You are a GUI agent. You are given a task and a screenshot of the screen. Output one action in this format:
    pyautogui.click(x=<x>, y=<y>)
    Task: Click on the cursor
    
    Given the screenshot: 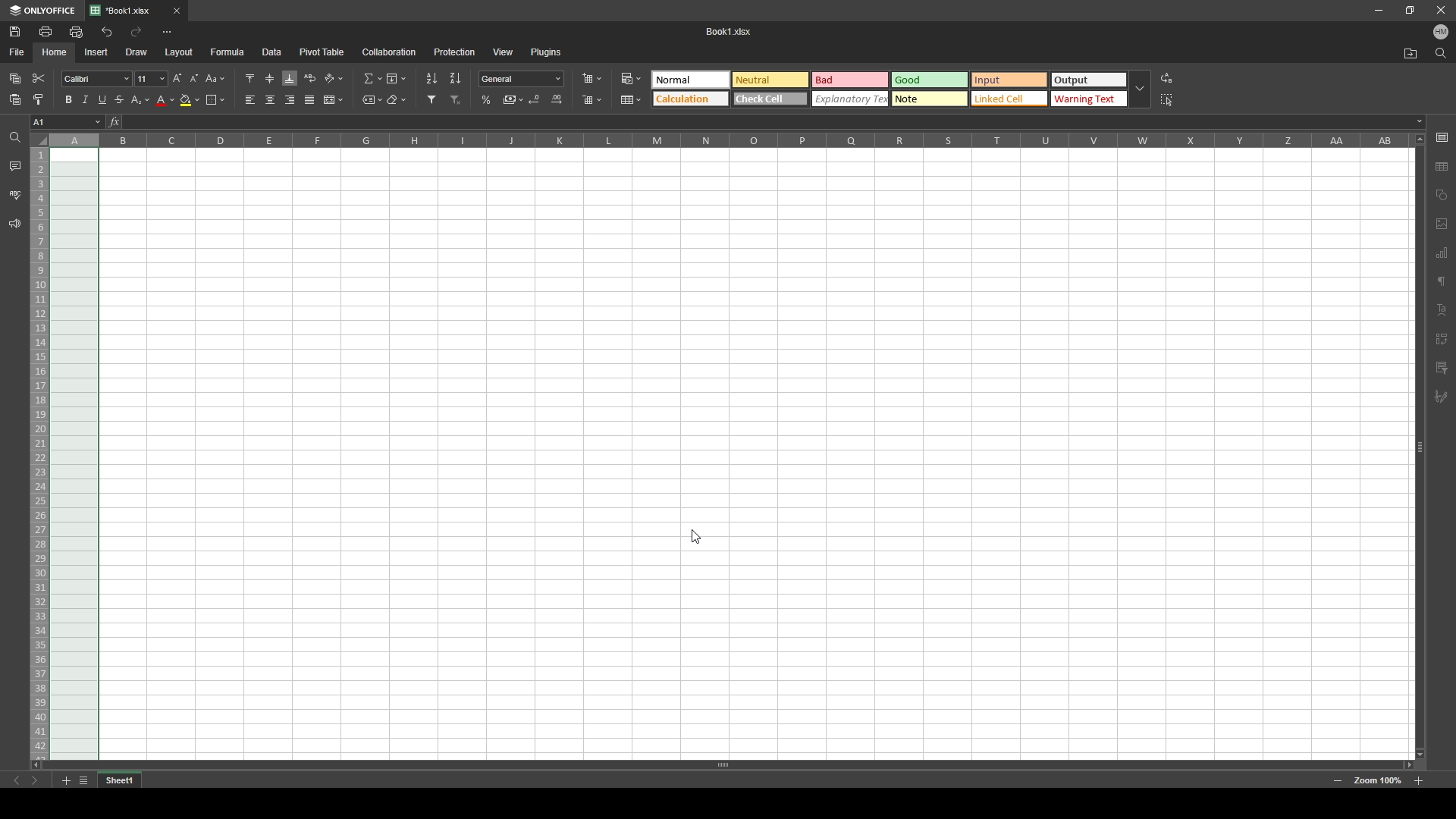 What is the action you would take?
    pyautogui.click(x=633, y=83)
    